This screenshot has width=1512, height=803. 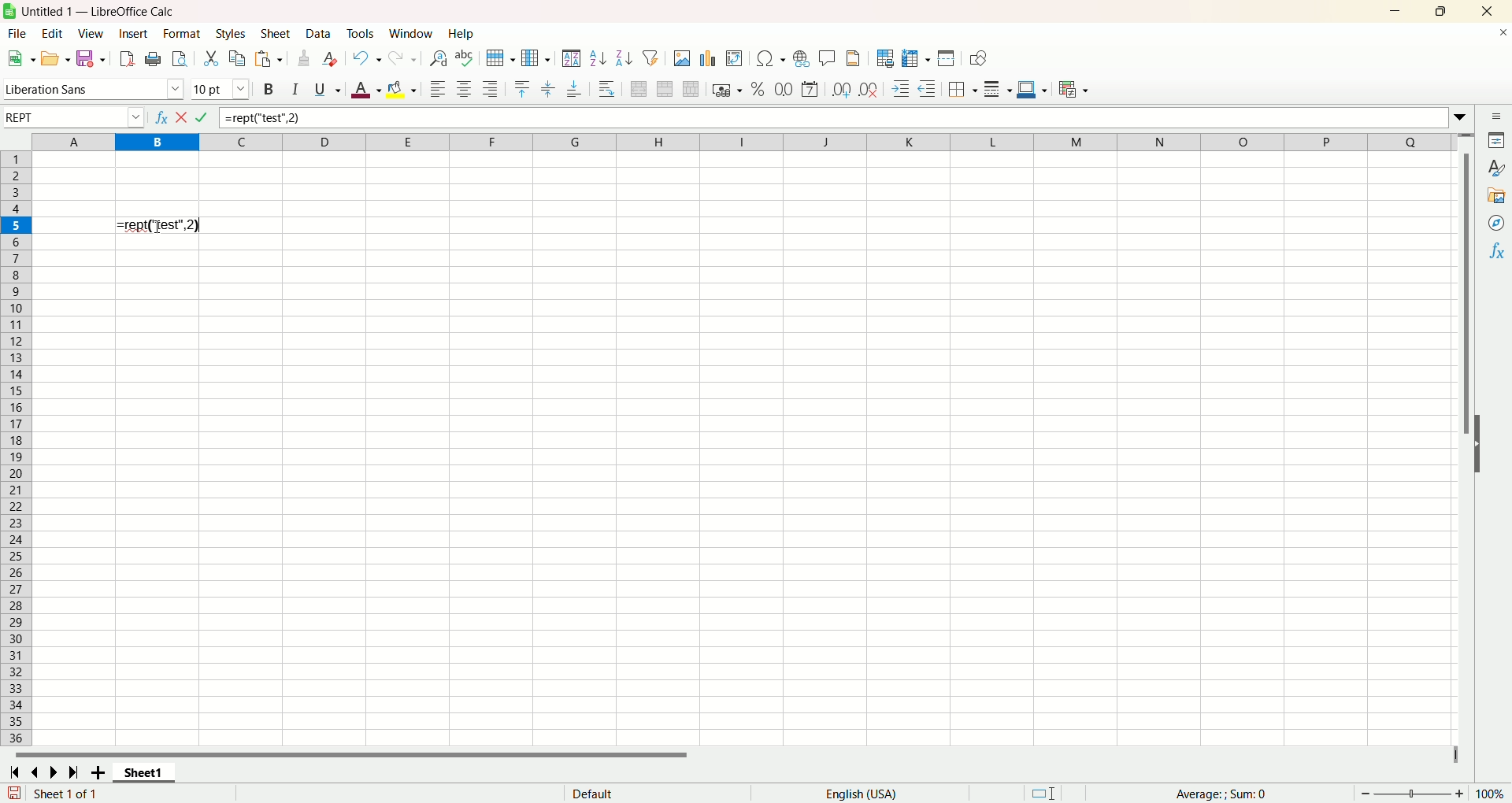 I want to click on print, so click(x=154, y=60).